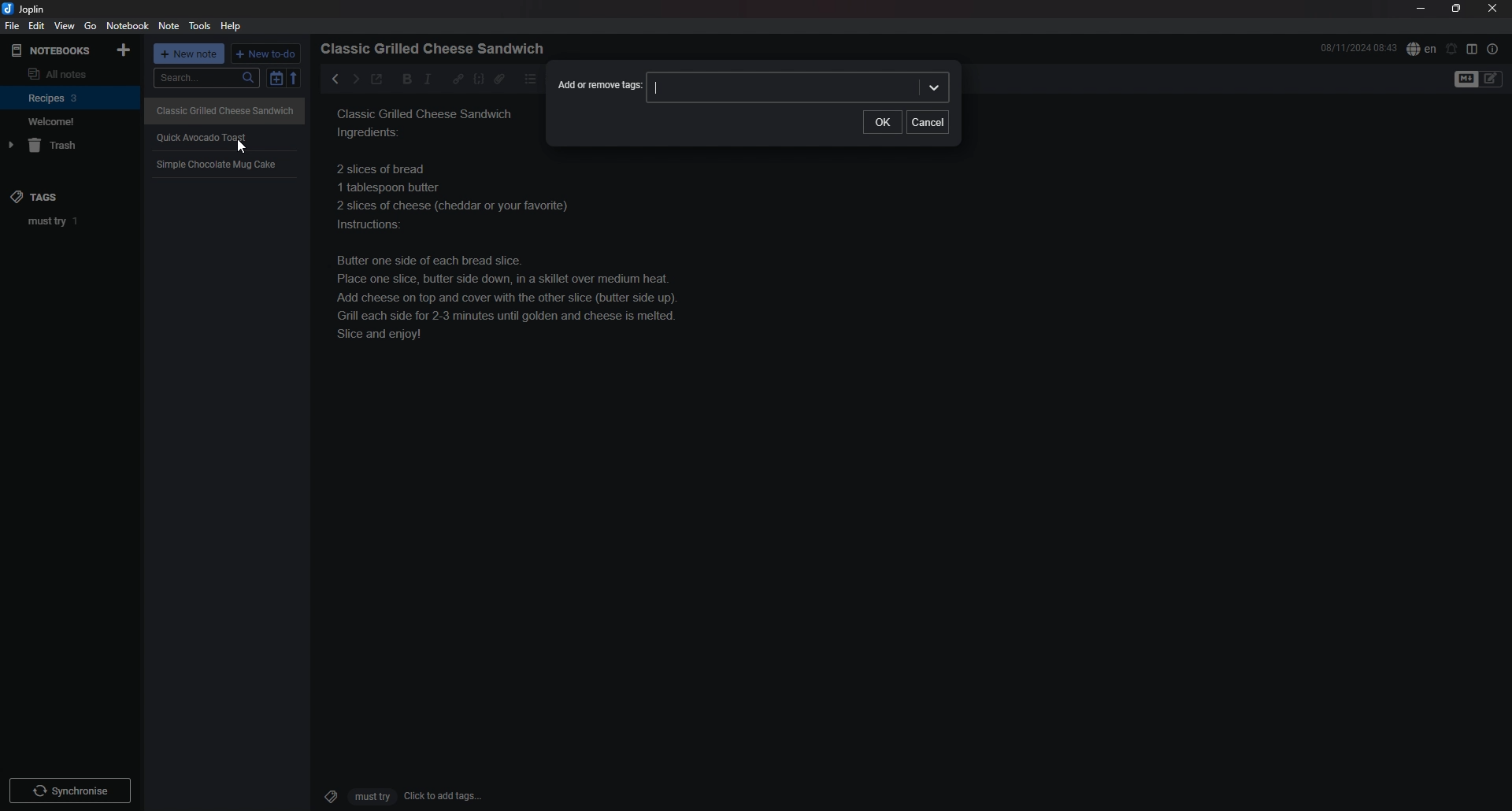 The height and width of the screenshot is (811, 1512). Describe the element at coordinates (68, 73) in the screenshot. I see `all notes` at that location.